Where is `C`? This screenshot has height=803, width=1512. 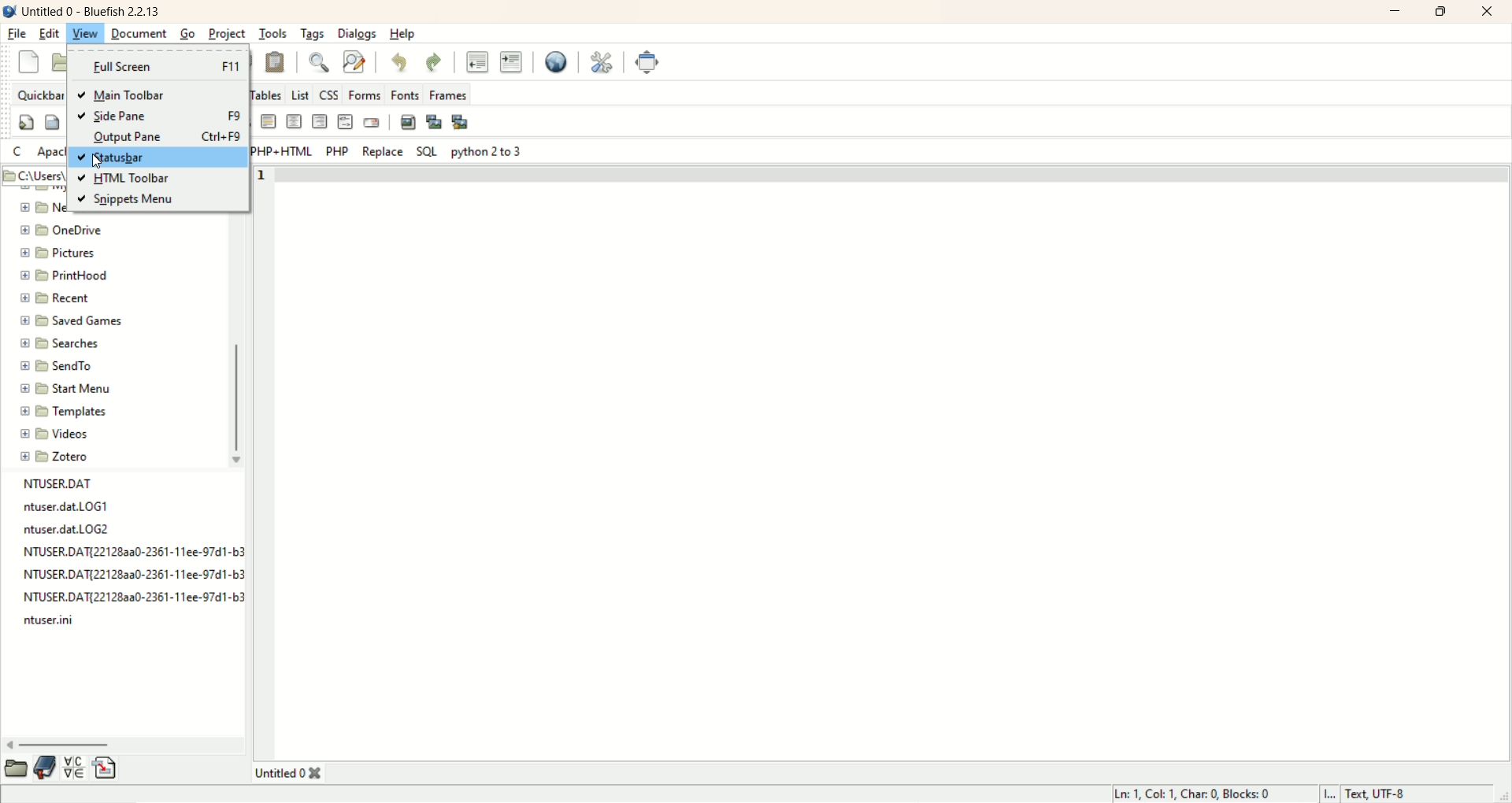
C is located at coordinates (20, 152).